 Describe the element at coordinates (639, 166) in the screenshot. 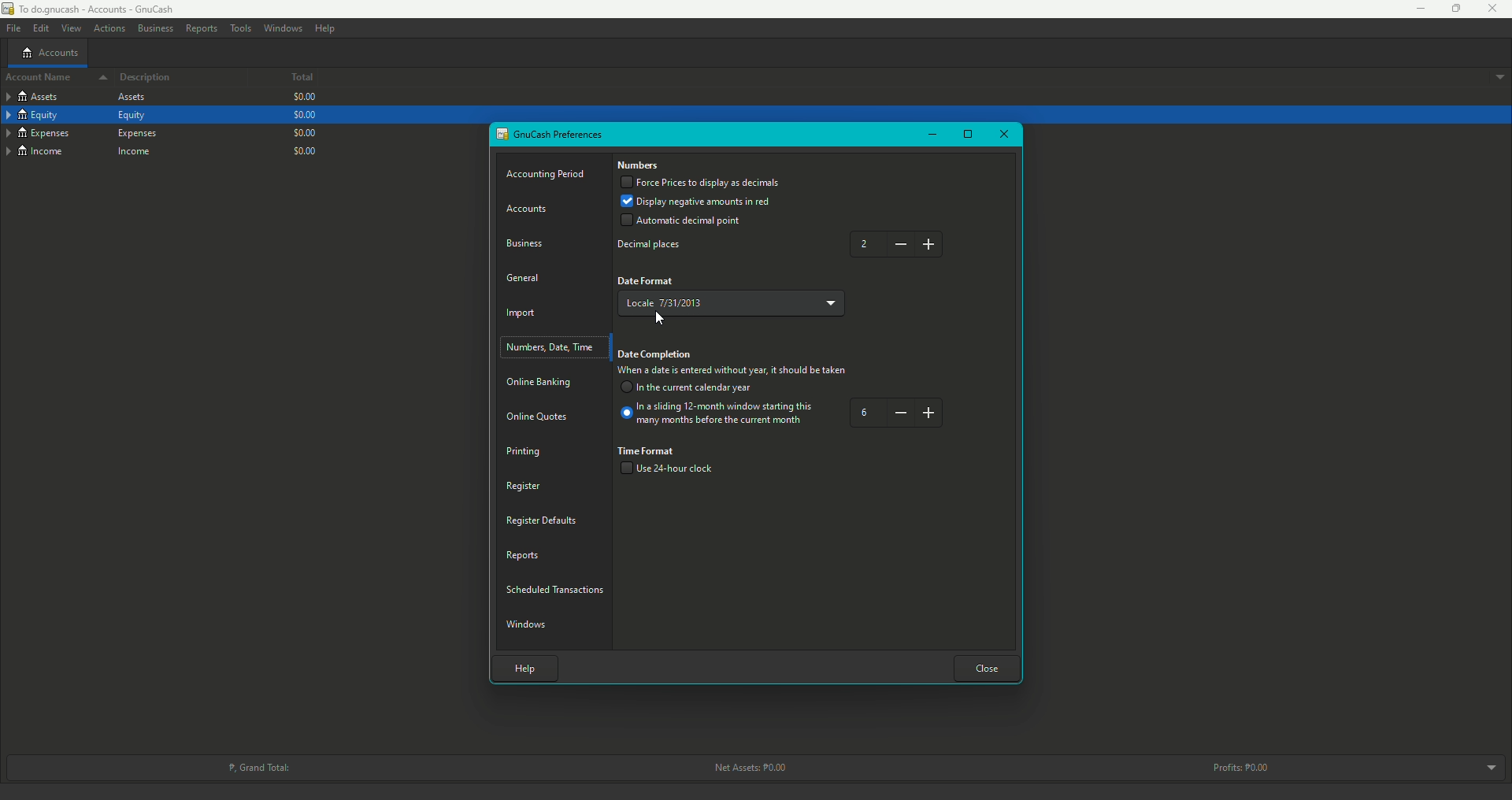

I see `Numbers` at that location.